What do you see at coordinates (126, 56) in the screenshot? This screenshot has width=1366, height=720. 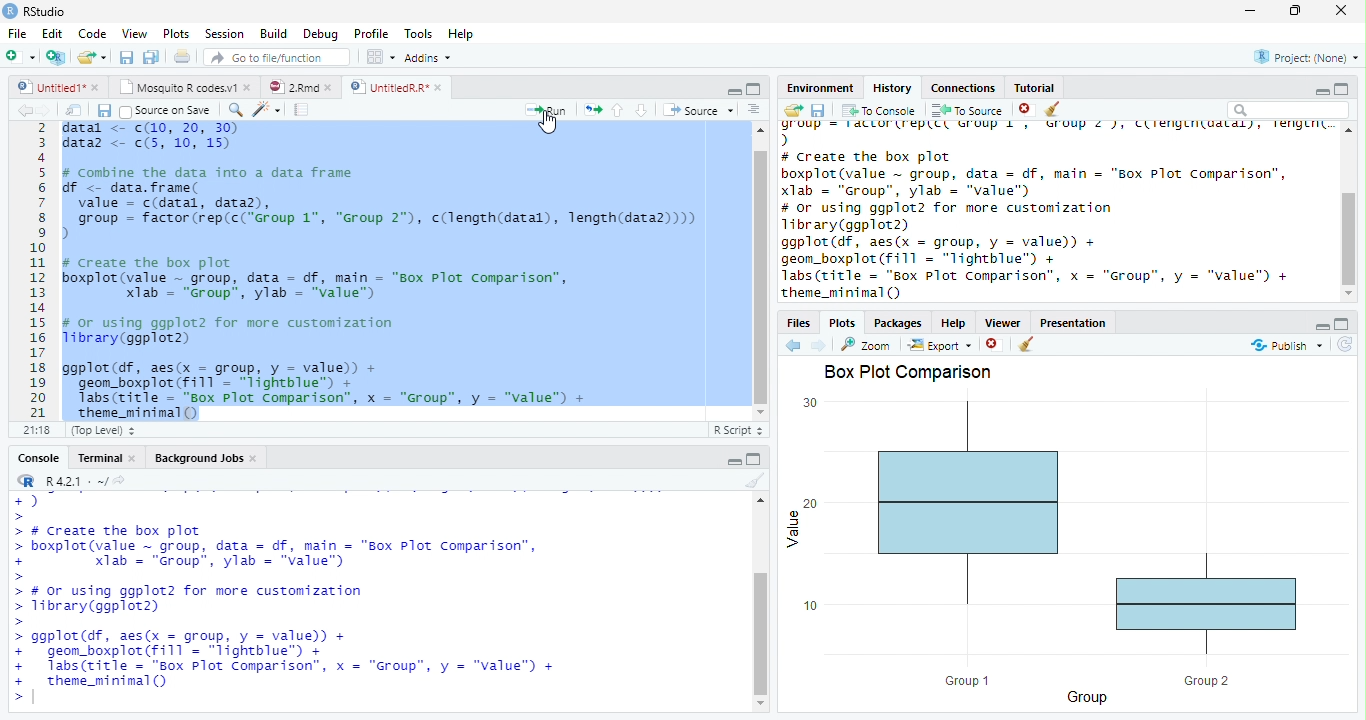 I see `Save current document` at bounding box center [126, 56].